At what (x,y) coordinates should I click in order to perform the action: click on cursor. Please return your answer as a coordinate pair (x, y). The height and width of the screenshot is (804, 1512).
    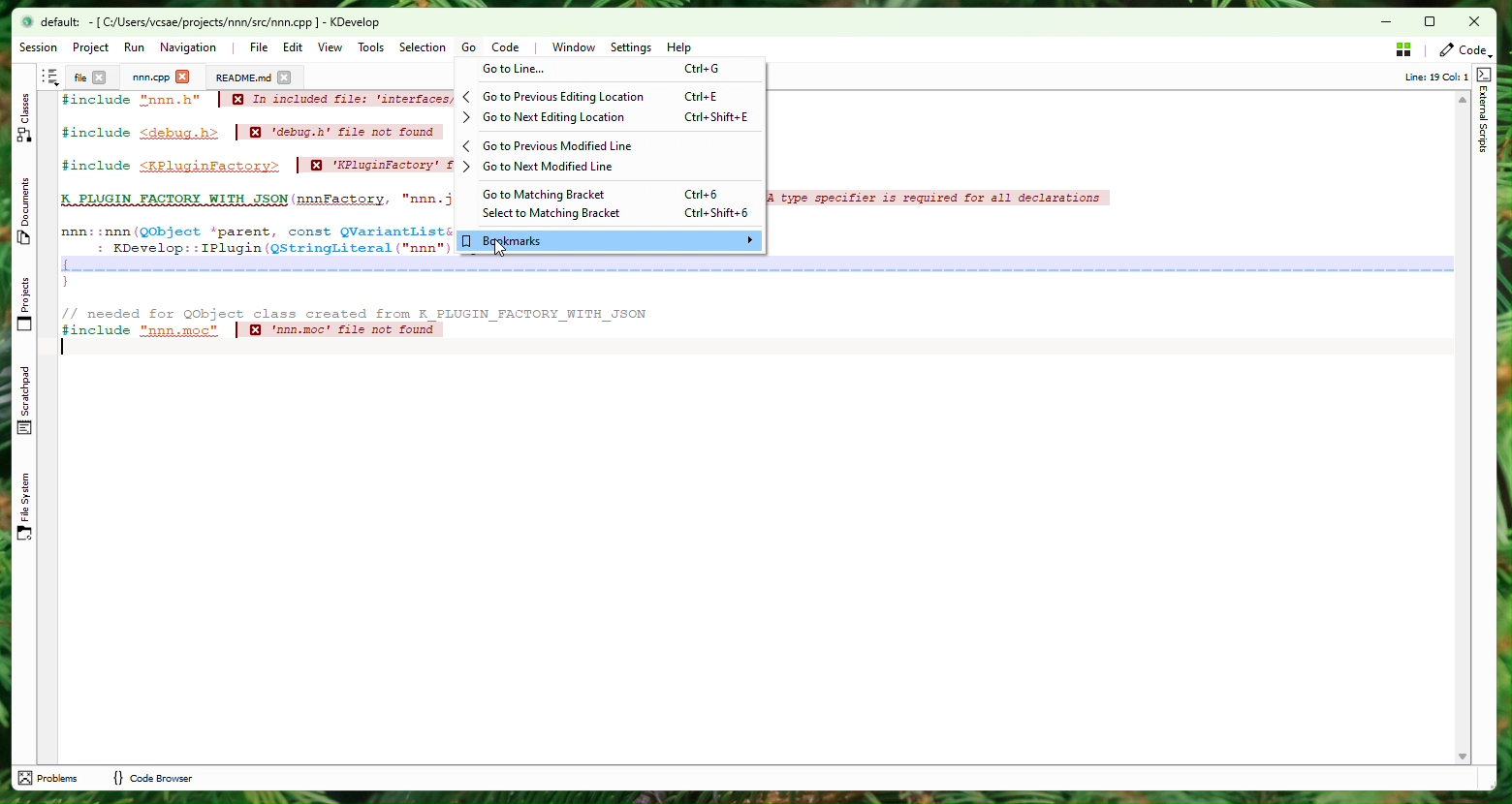
    Looking at the image, I should click on (500, 248).